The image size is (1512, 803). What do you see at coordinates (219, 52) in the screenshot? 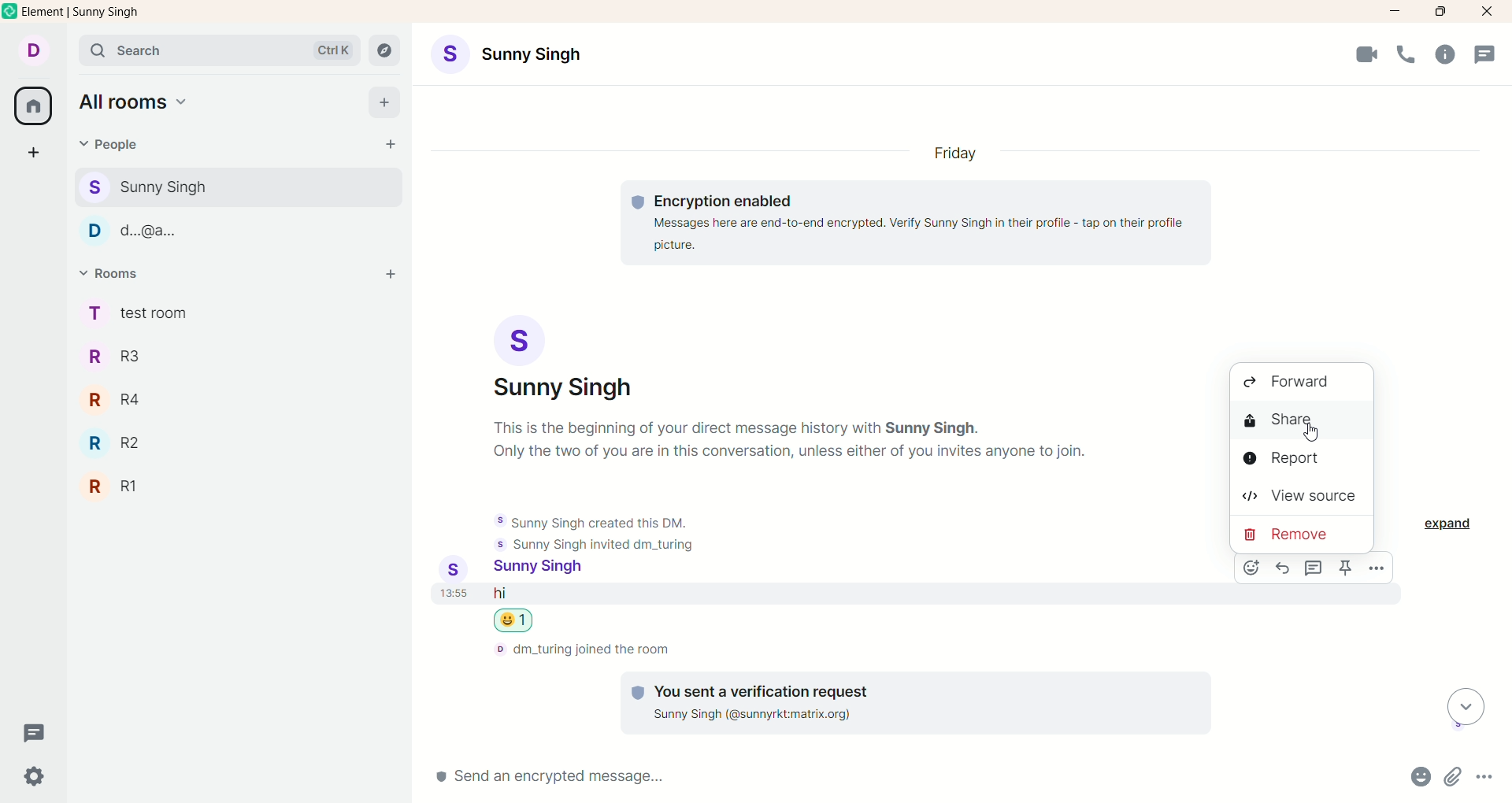
I see `search` at bounding box center [219, 52].